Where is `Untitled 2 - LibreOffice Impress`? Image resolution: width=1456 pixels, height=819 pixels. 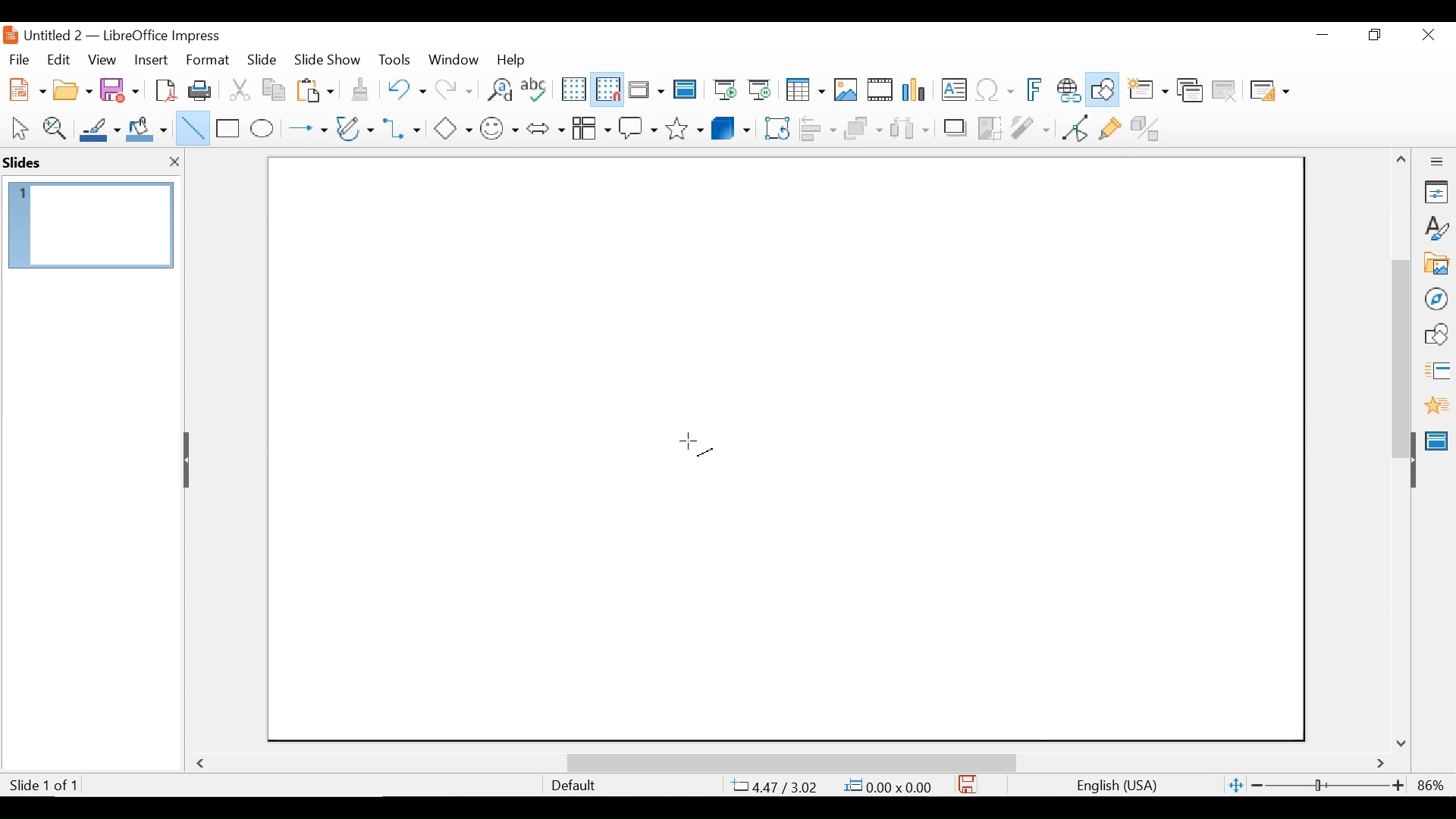
Untitled 2 - LibreOffice Impress is located at coordinates (137, 35).